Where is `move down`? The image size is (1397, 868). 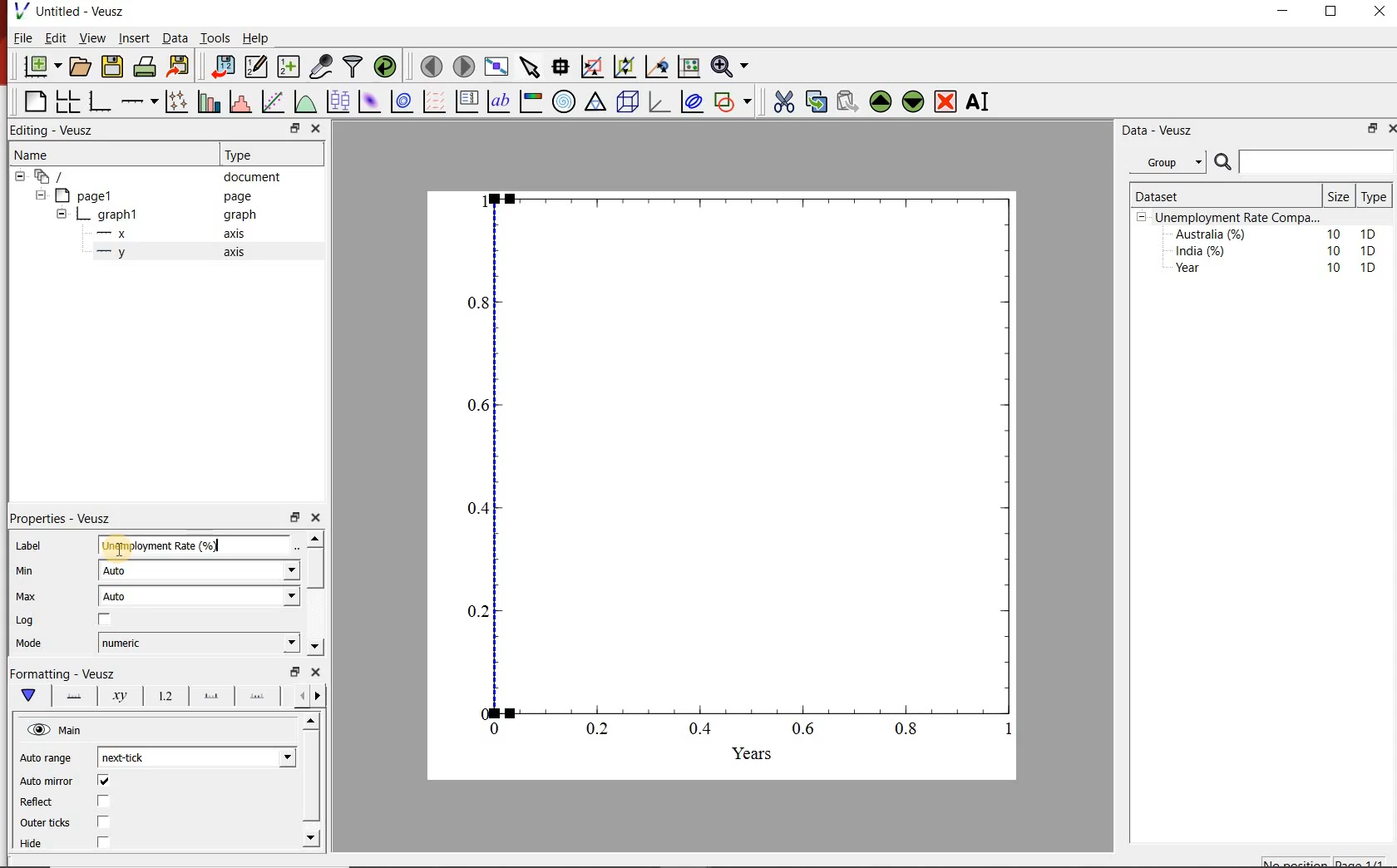
move down is located at coordinates (314, 646).